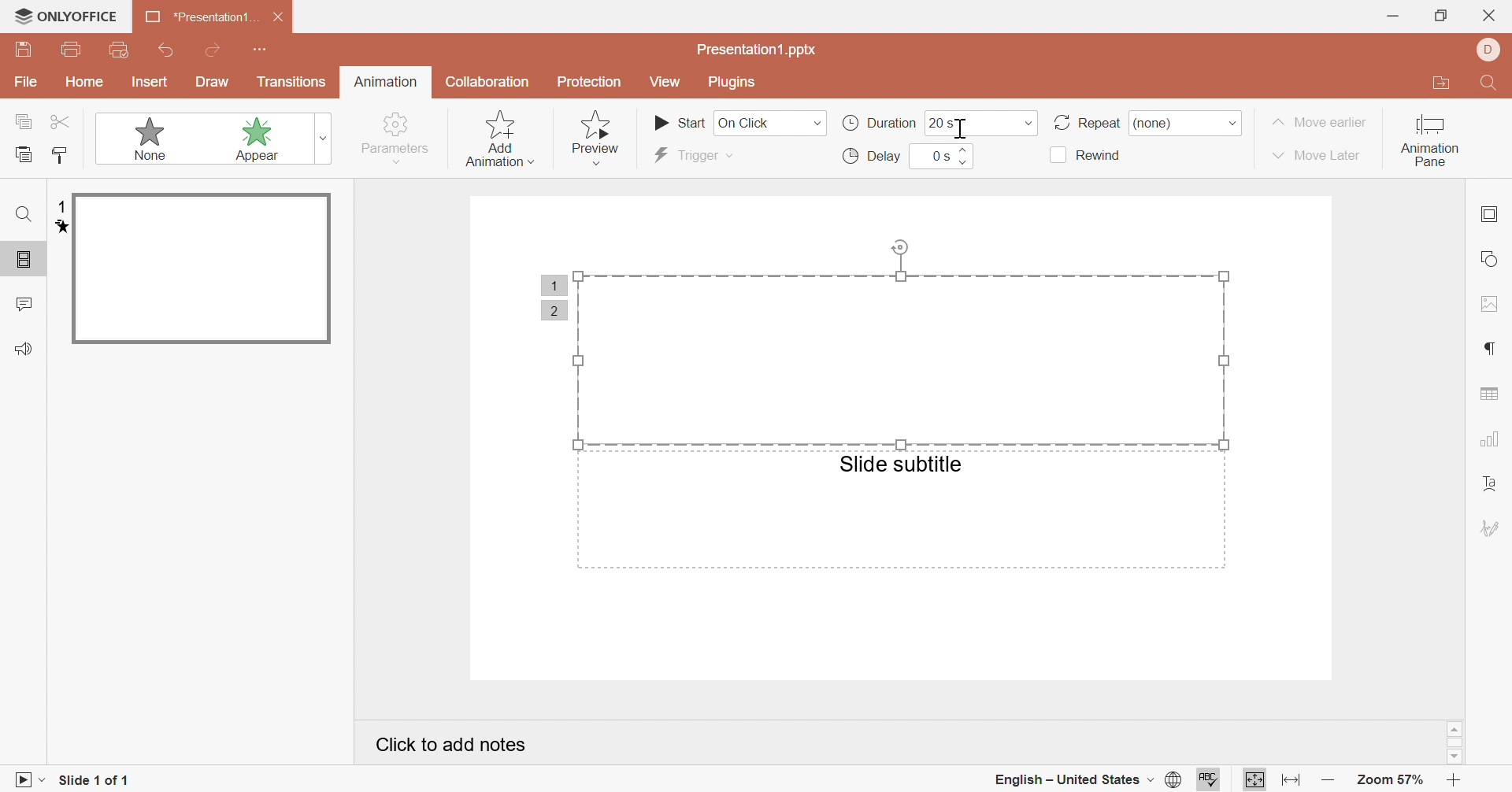  What do you see at coordinates (1233, 124) in the screenshot?
I see `drop down` at bounding box center [1233, 124].